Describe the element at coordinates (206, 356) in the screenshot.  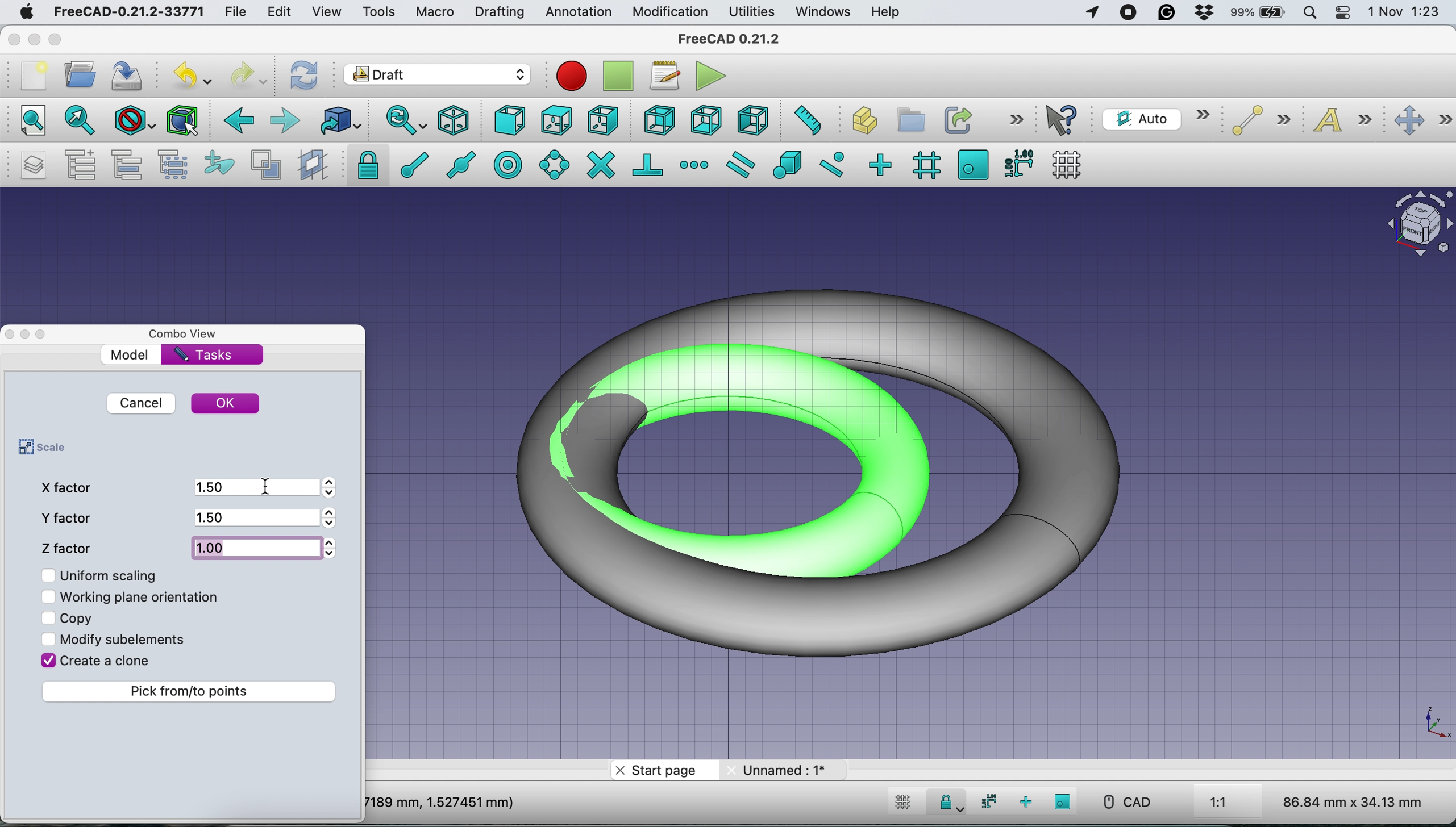
I see `tasks` at that location.